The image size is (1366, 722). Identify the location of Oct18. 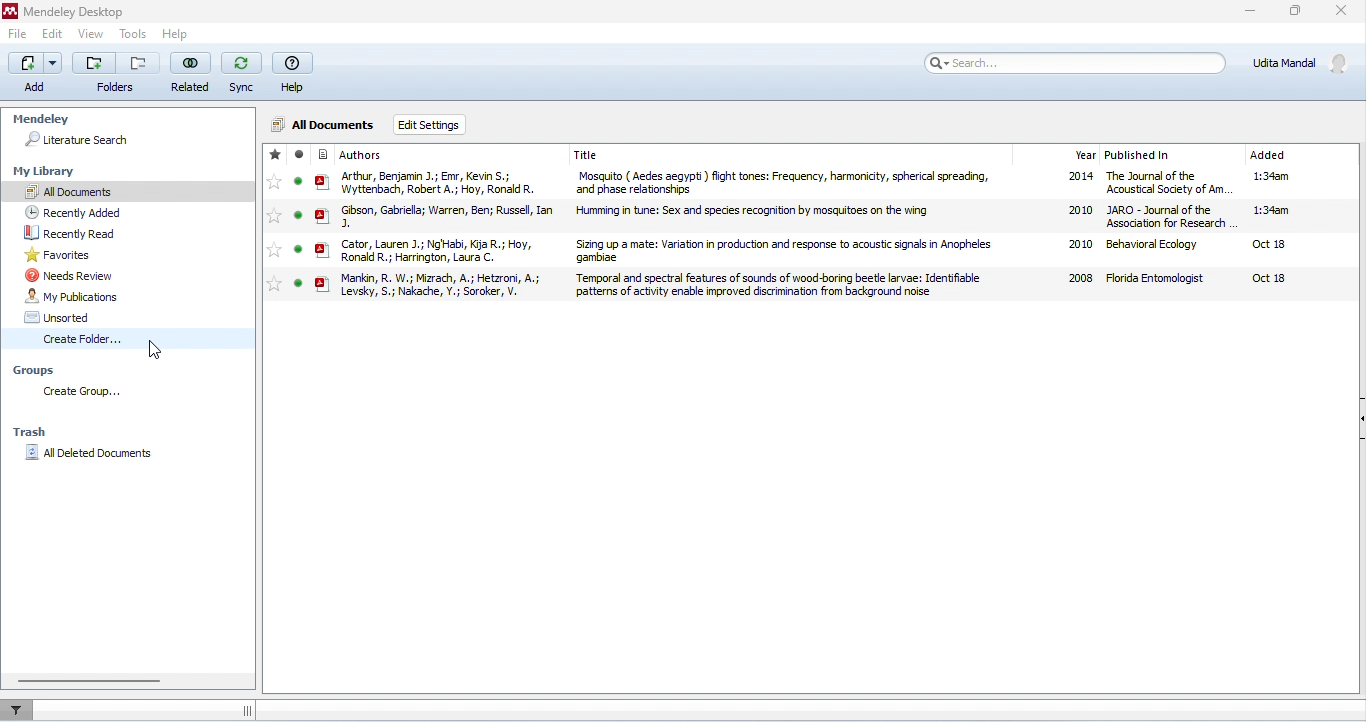
(1272, 244).